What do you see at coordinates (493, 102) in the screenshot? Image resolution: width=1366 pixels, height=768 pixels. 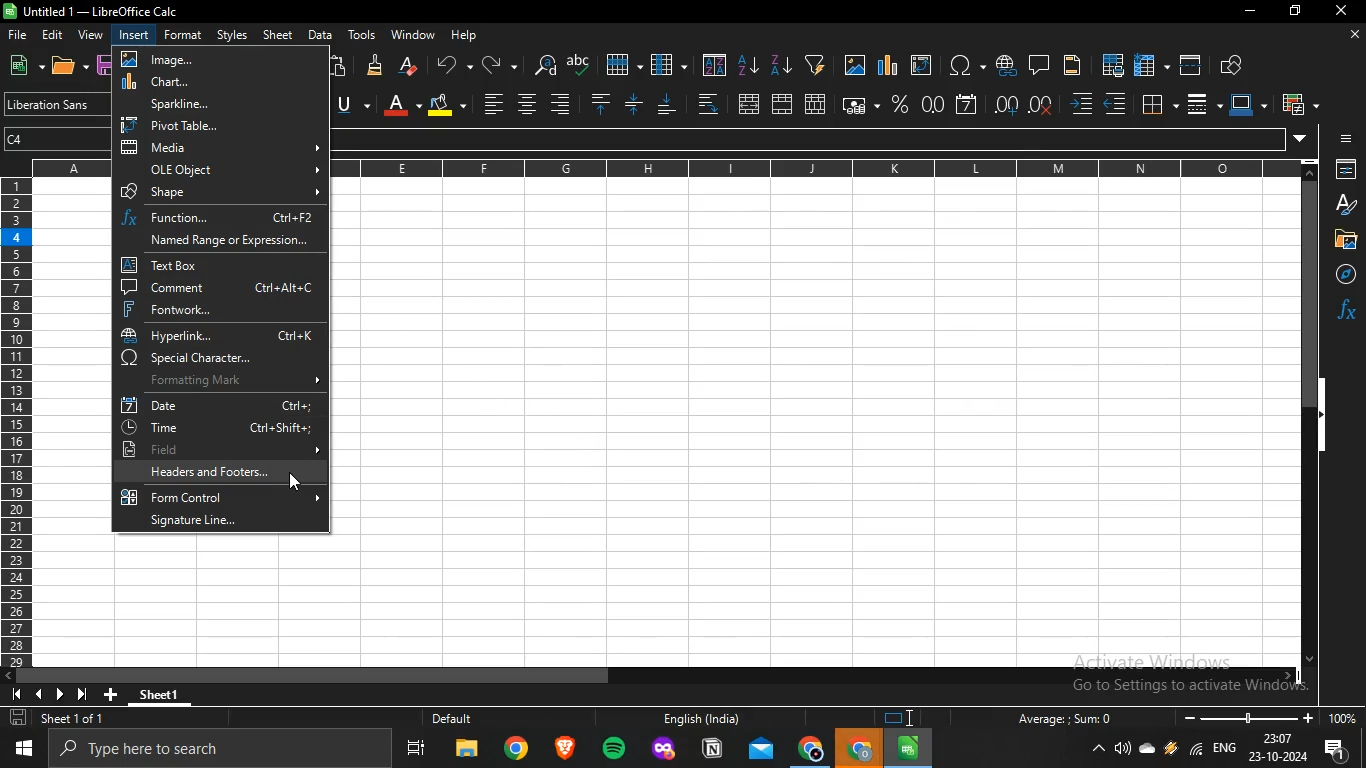 I see `alignright ` at bounding box center [493, 102].